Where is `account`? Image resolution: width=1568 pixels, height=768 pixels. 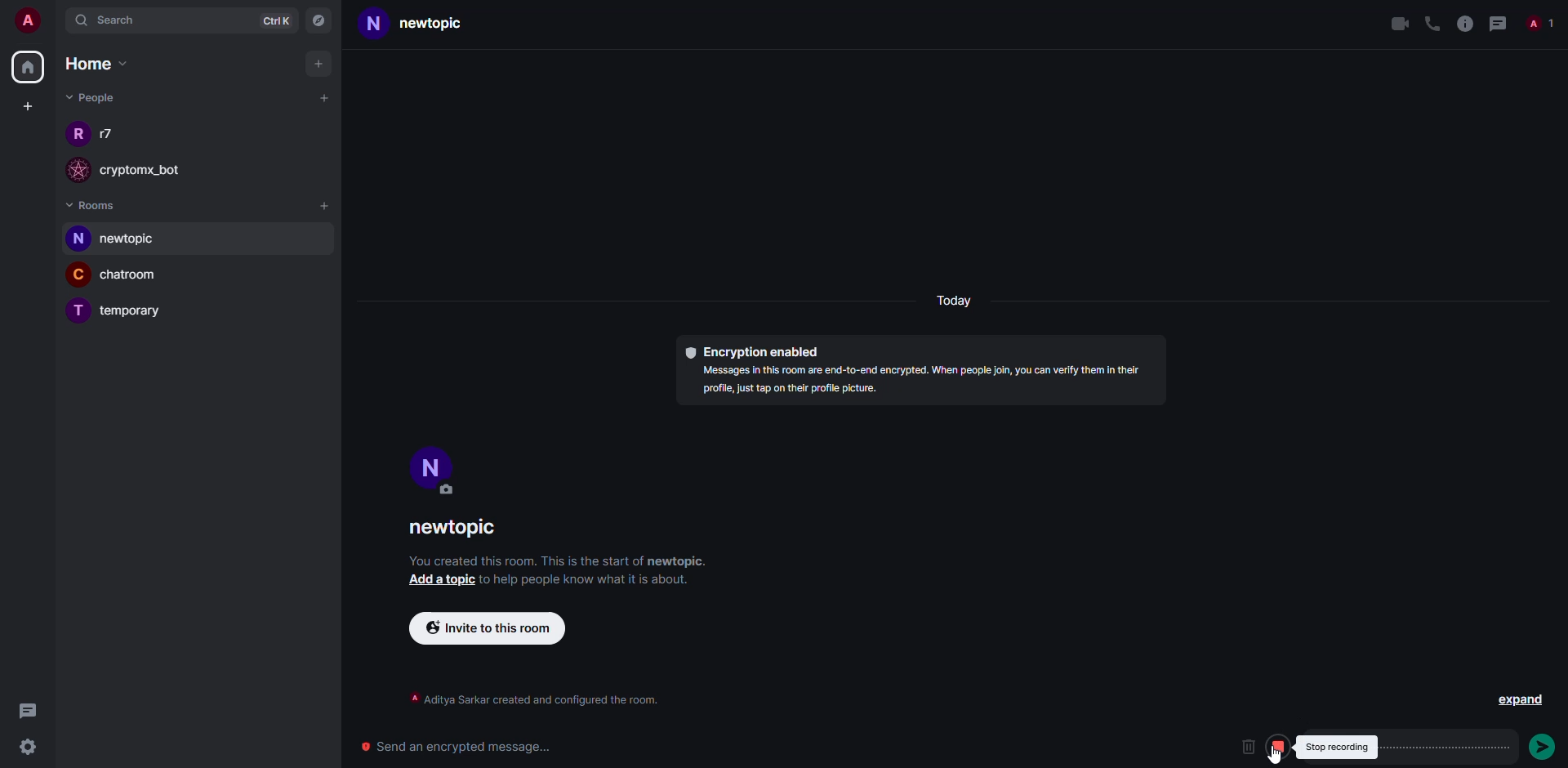 account is located at coordinates (33, 23).